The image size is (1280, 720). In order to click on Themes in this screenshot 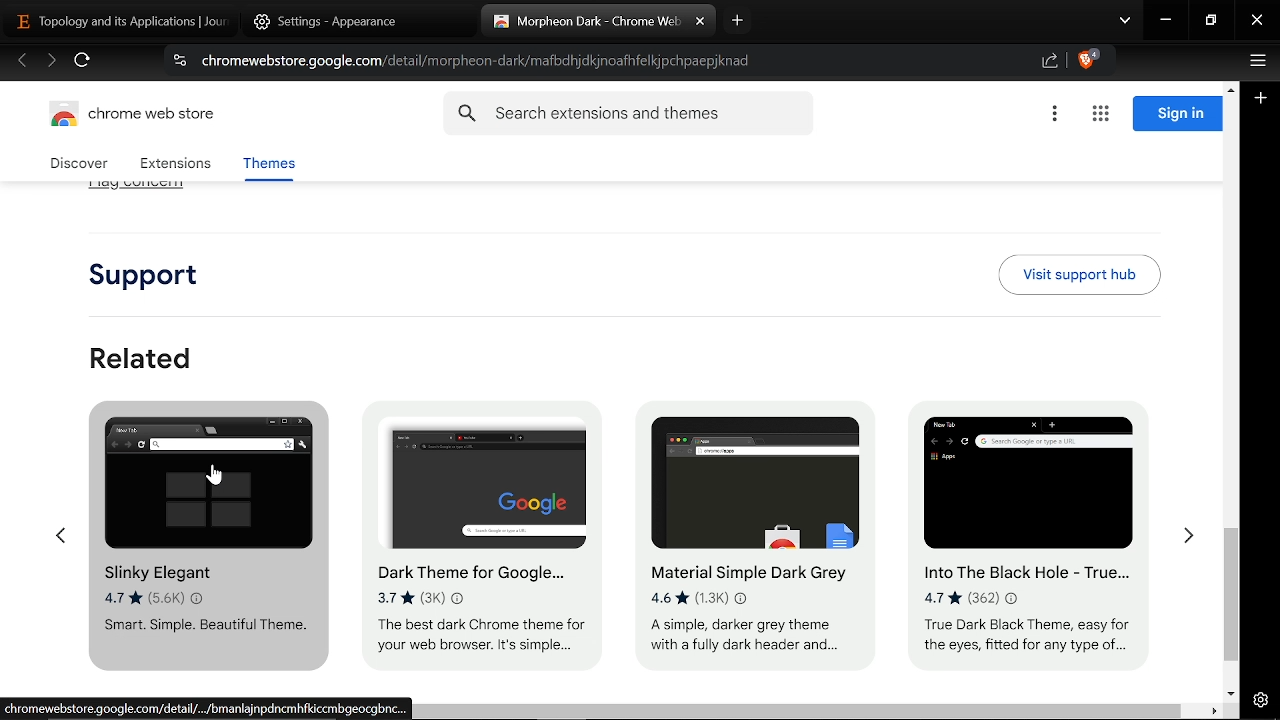, I will do `click(268, 167)`.